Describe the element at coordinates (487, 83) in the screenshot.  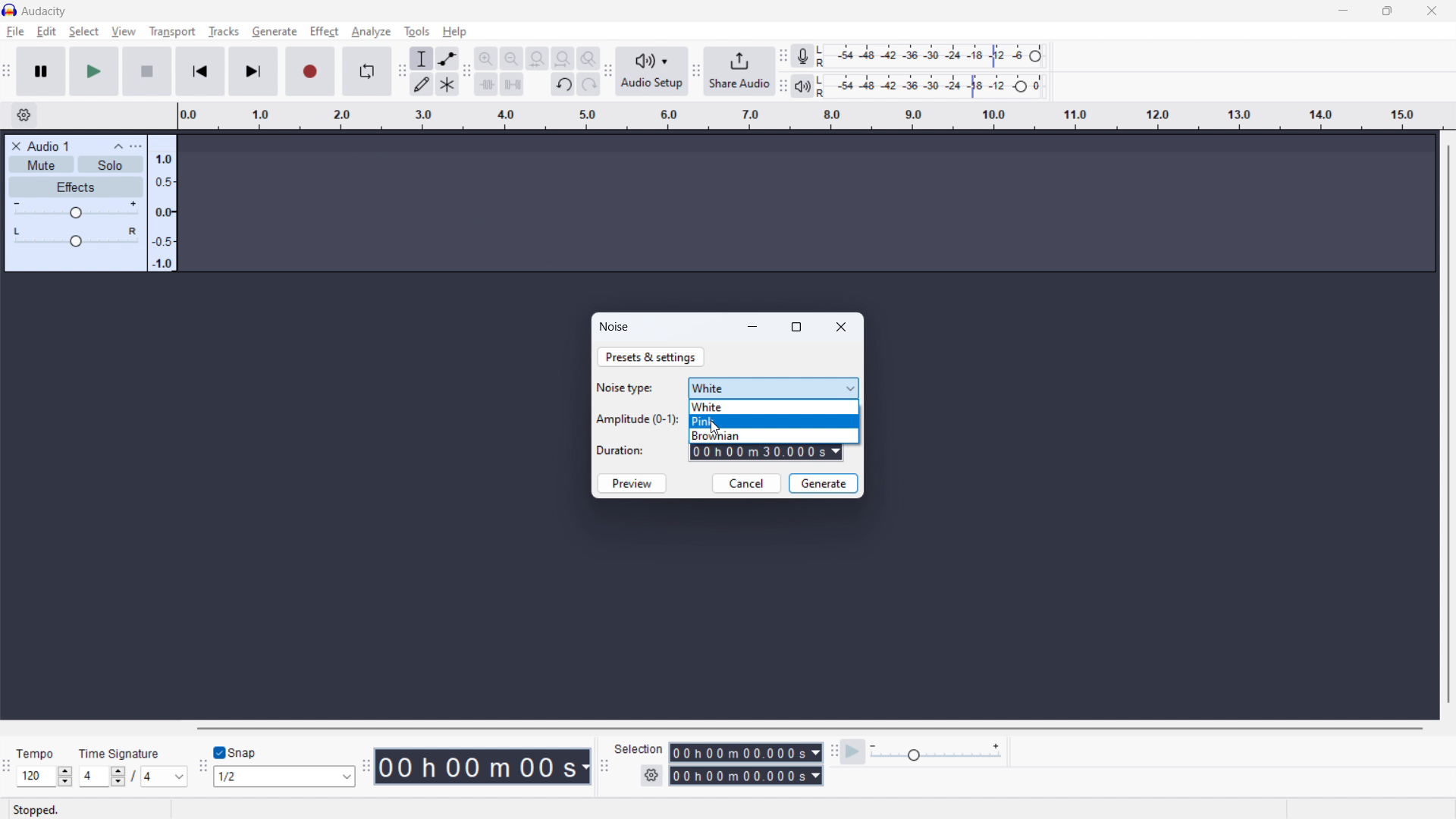
I see `trim audio outside selction` at that location.